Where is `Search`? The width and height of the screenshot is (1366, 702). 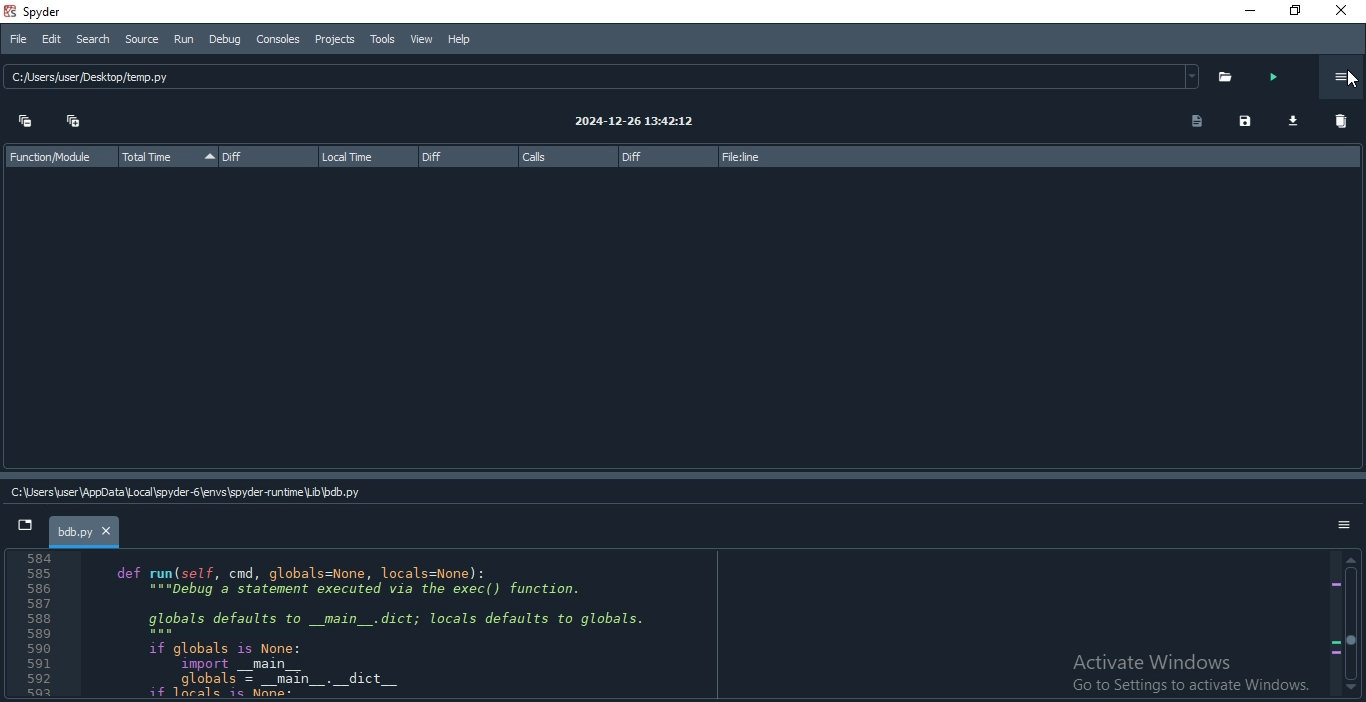
Search is located at coordinates (96, 40).